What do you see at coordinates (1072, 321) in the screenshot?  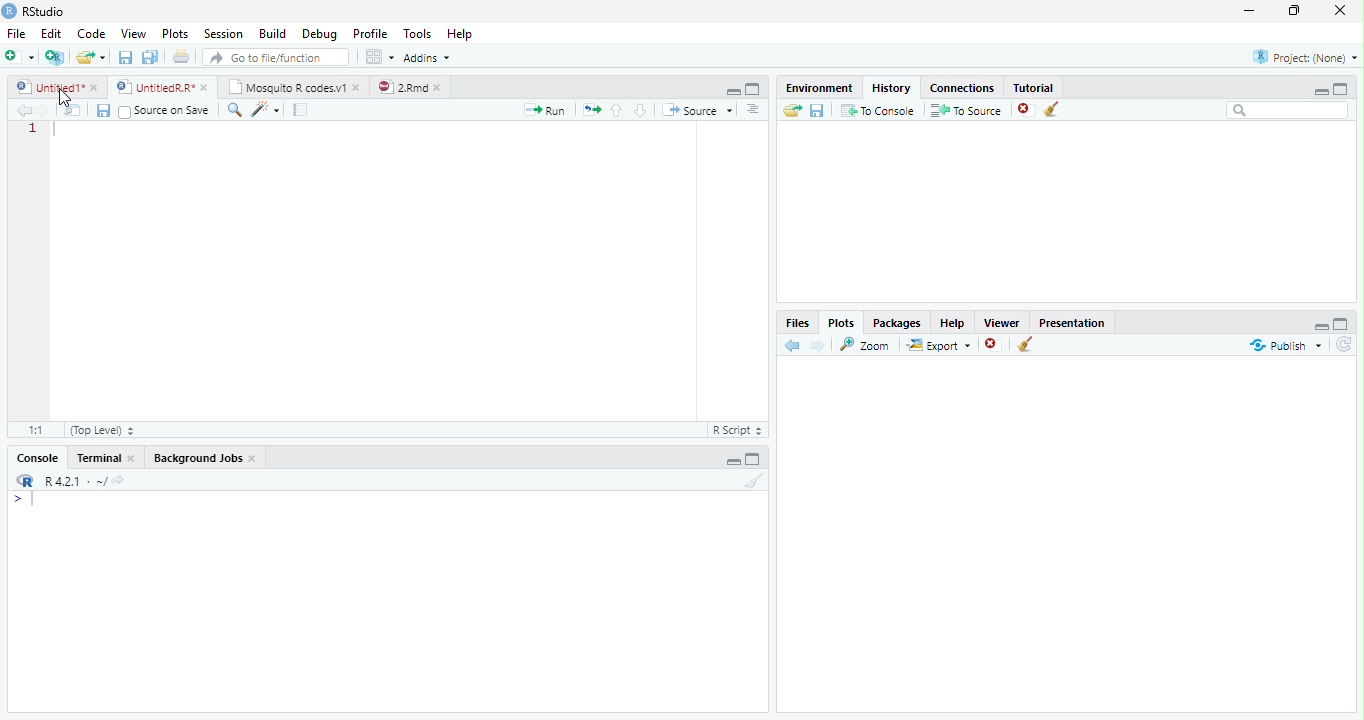 I see `Presentation` at bounding box center [1072, 321].